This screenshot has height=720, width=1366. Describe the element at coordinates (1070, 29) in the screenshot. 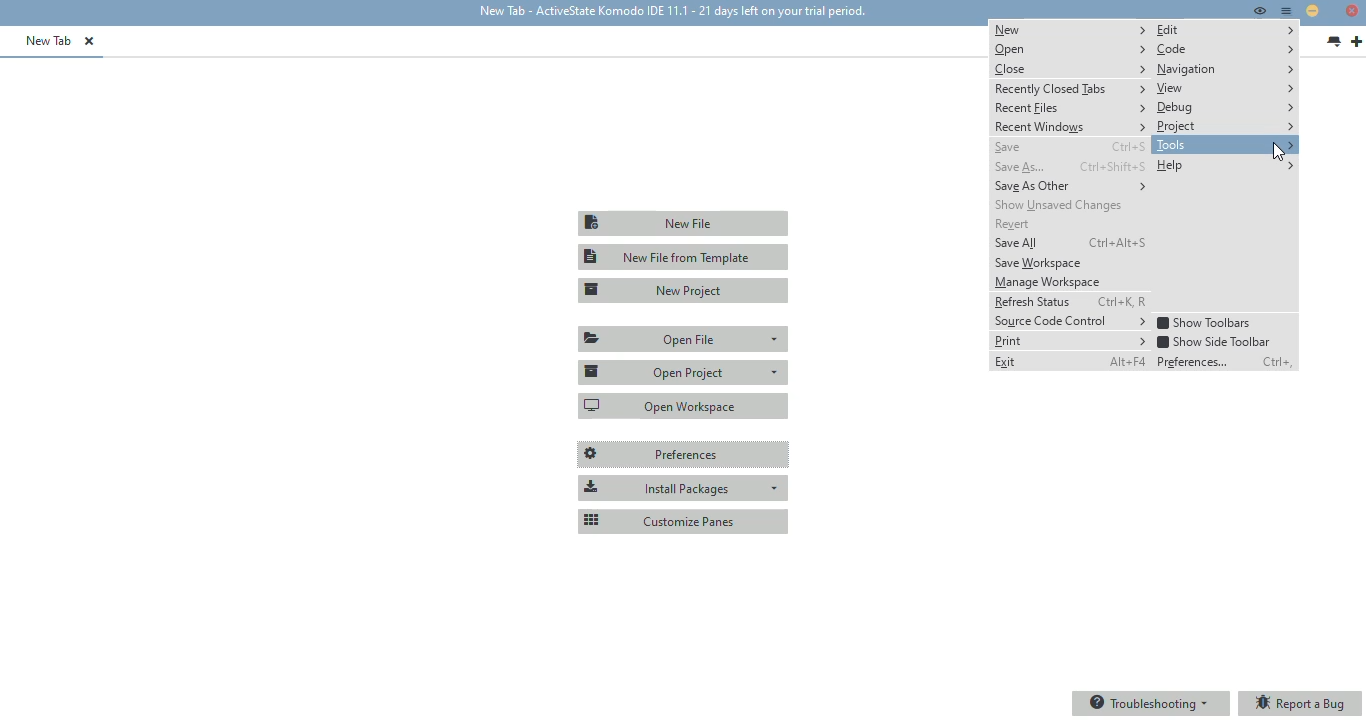

I see `new` at that location.